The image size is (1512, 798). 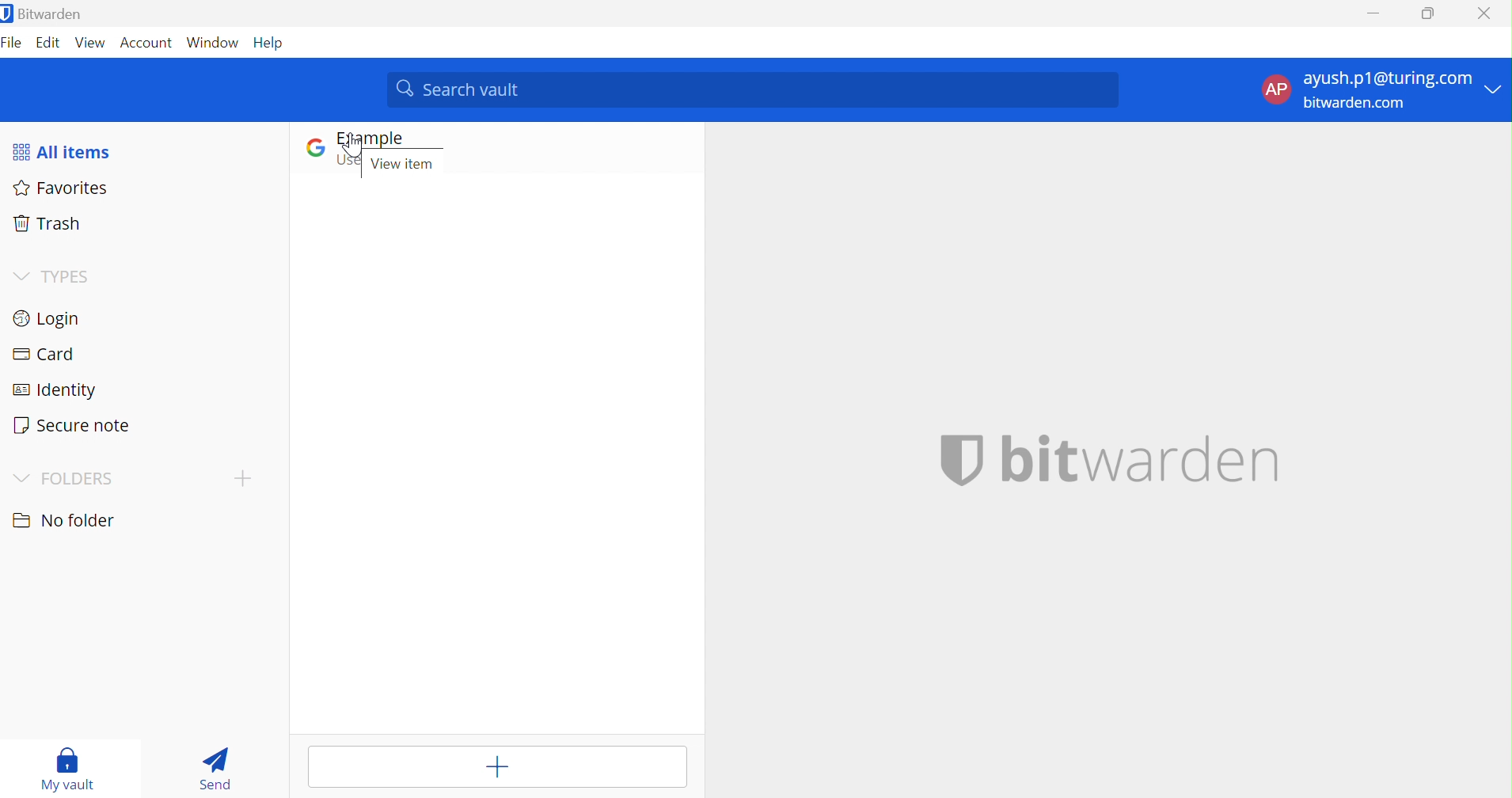 I want to click on Secure note, so click(x=73, y=424).